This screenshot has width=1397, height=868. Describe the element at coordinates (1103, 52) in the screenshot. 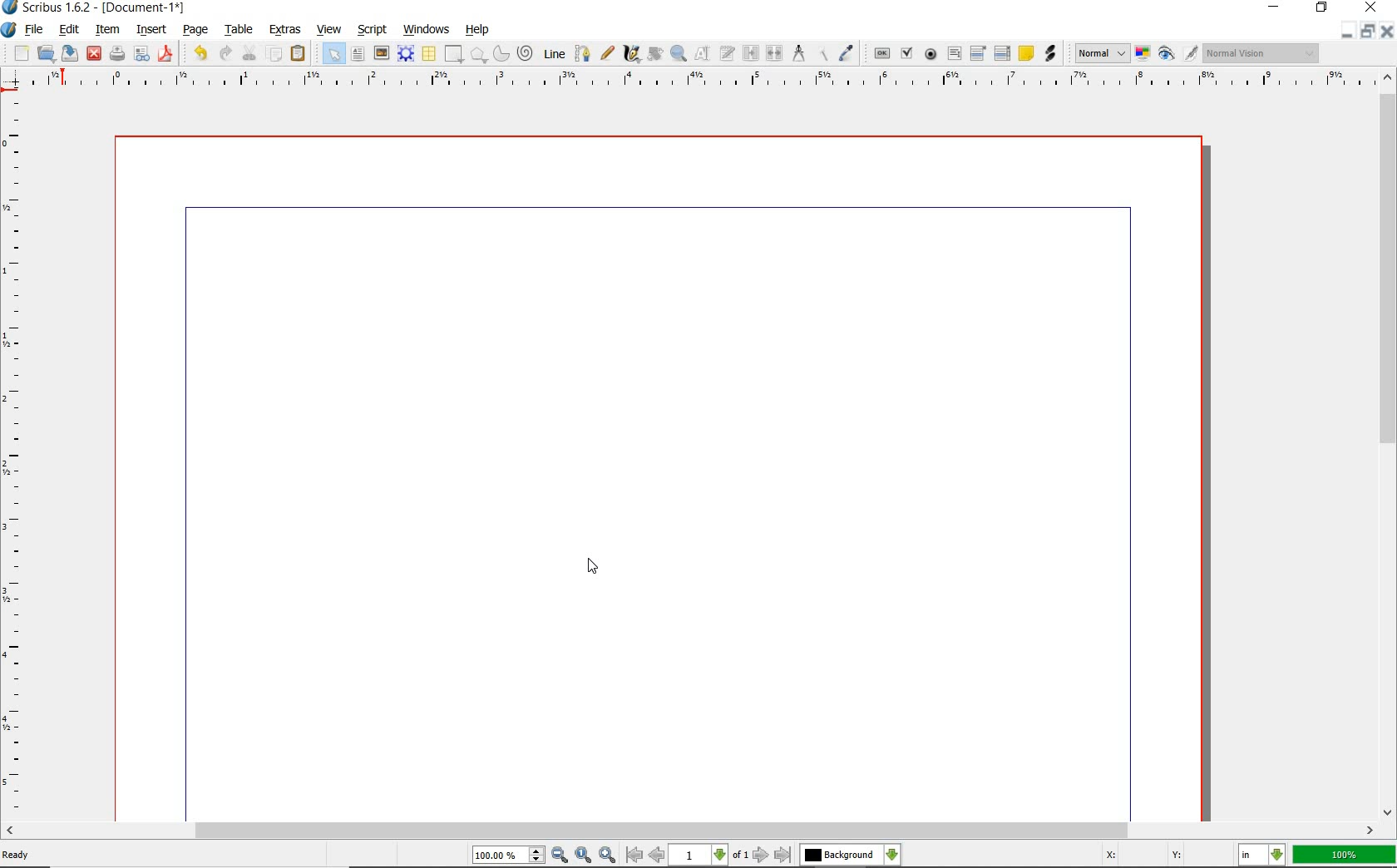

I see `select image preview mode` at that location.